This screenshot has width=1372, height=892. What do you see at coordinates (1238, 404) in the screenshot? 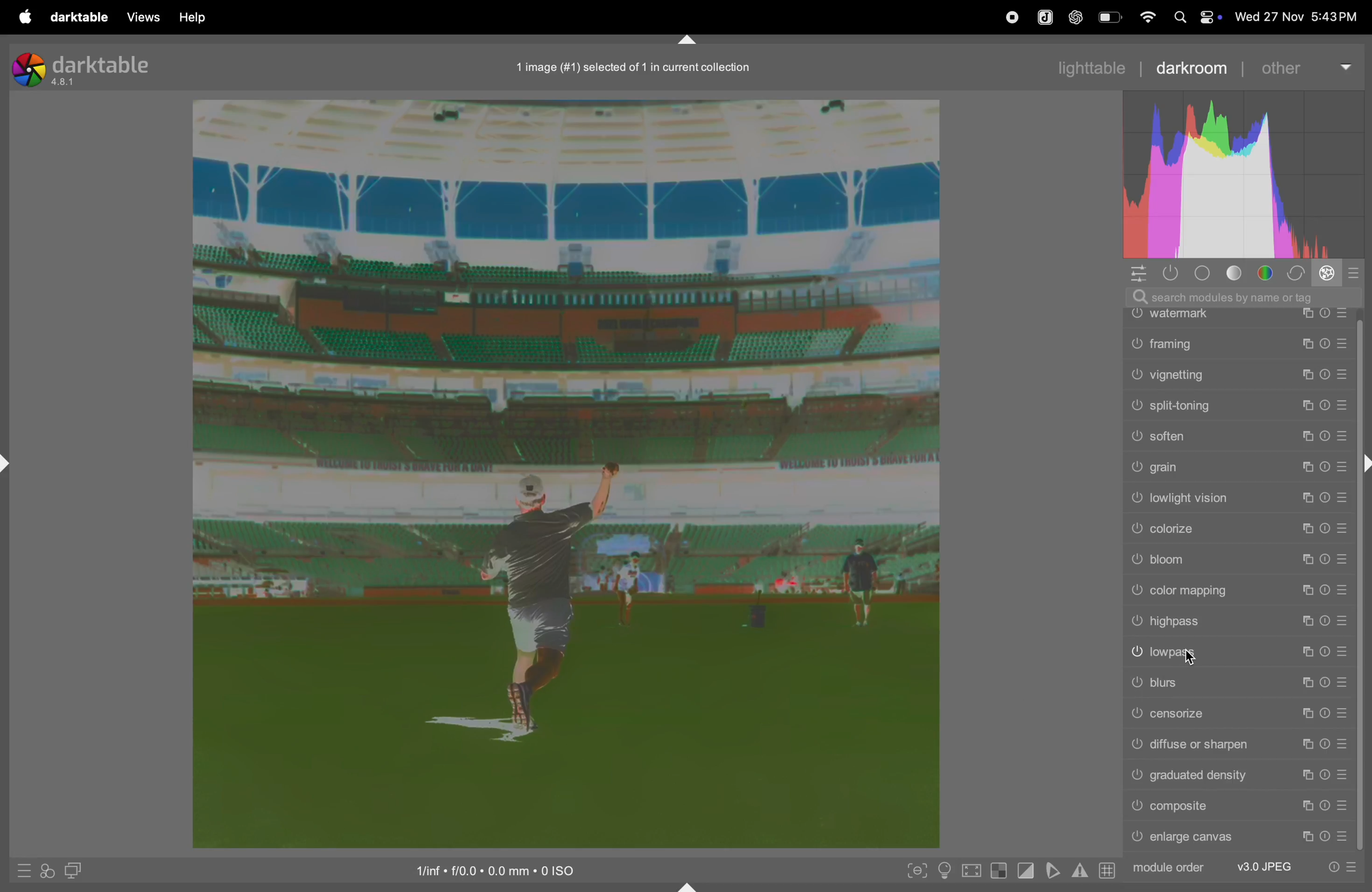
I see `split toning` at bounding box center [1238, 404].